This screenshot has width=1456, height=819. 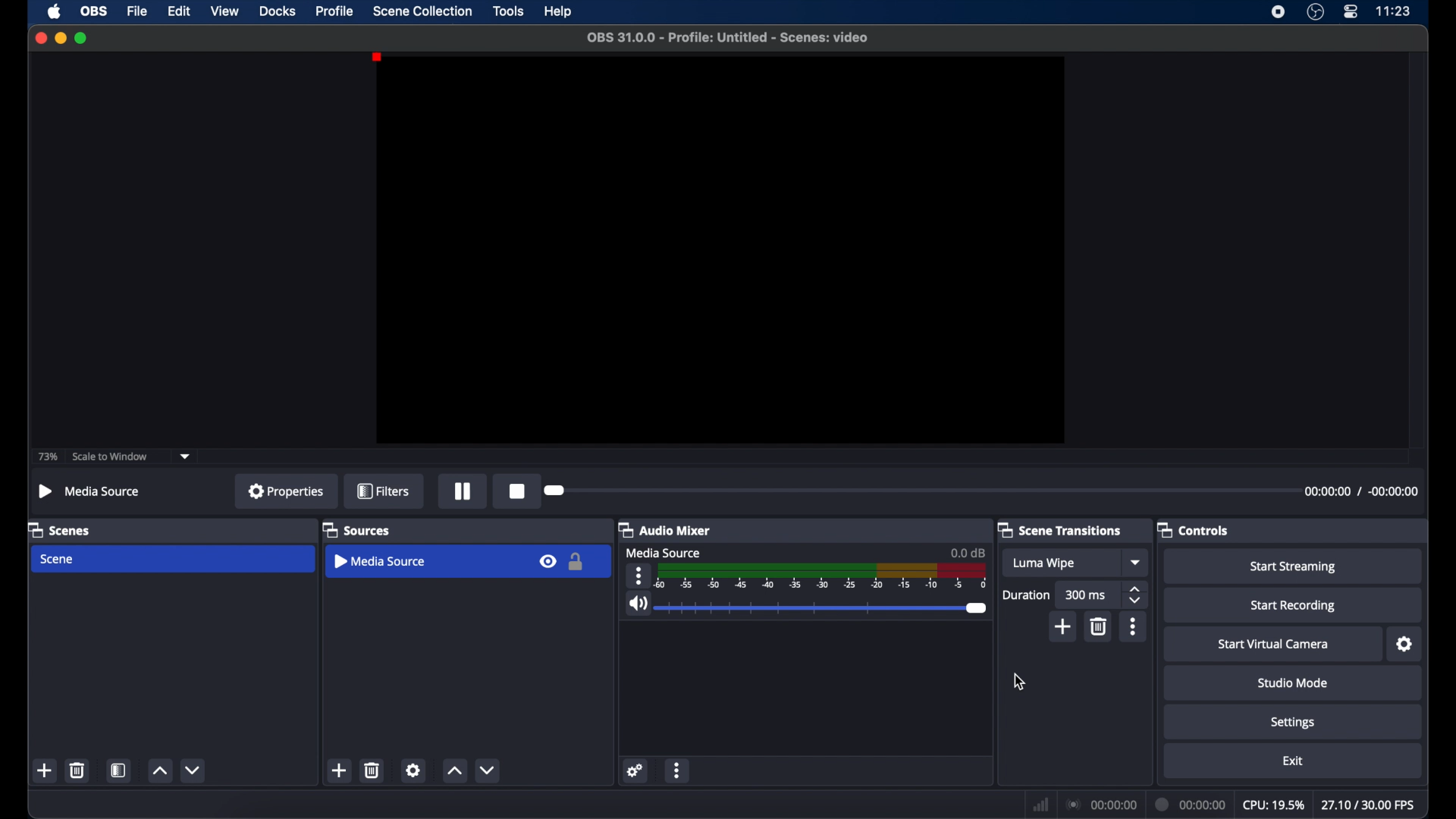 What do you see at coordinates (1360, 491) in the screenshot?
I see `timestamp` at bounding box center [1360, 491].